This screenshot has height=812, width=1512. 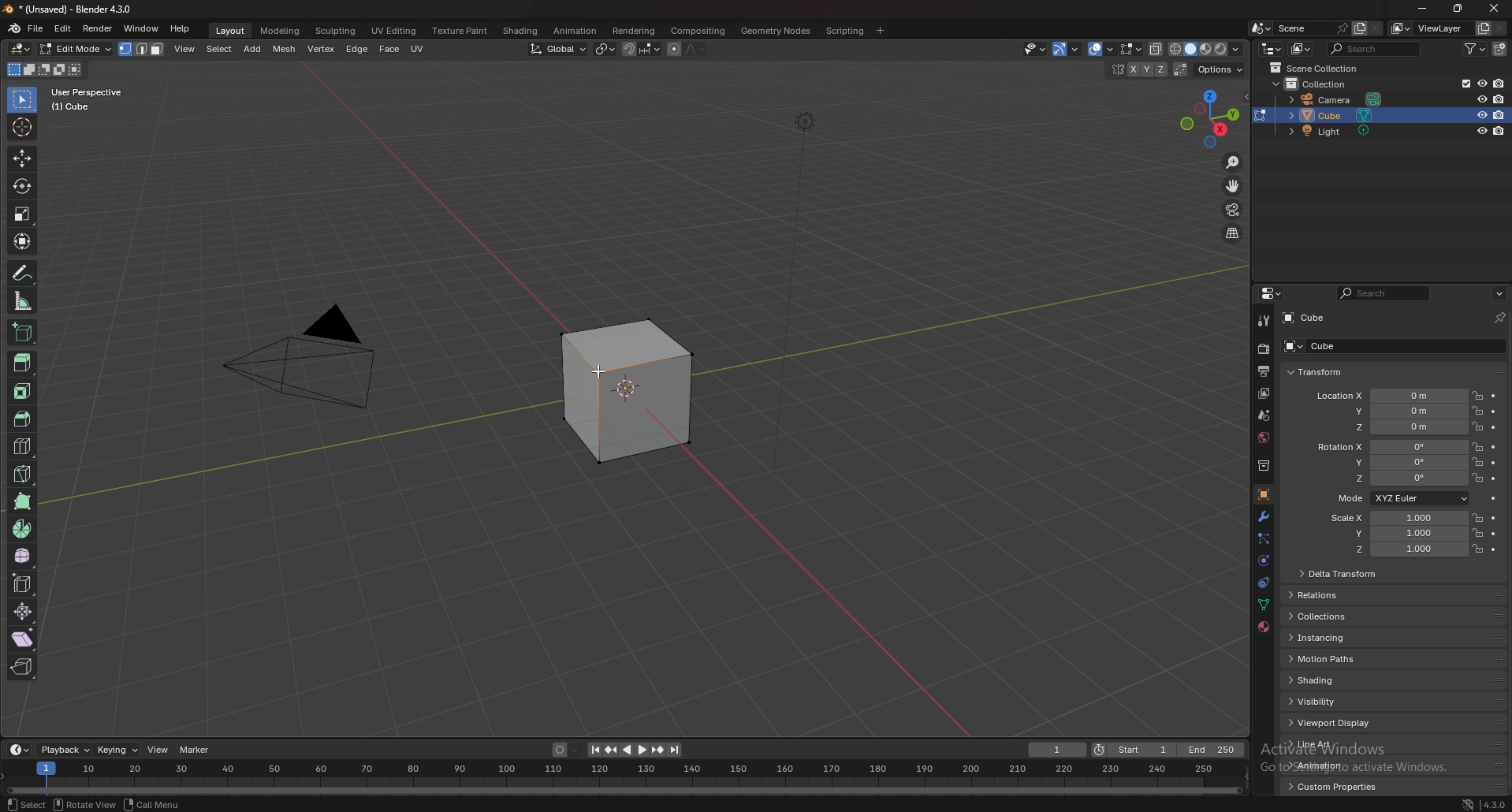 I want to click on animate property, so click(x=1494, y=479).